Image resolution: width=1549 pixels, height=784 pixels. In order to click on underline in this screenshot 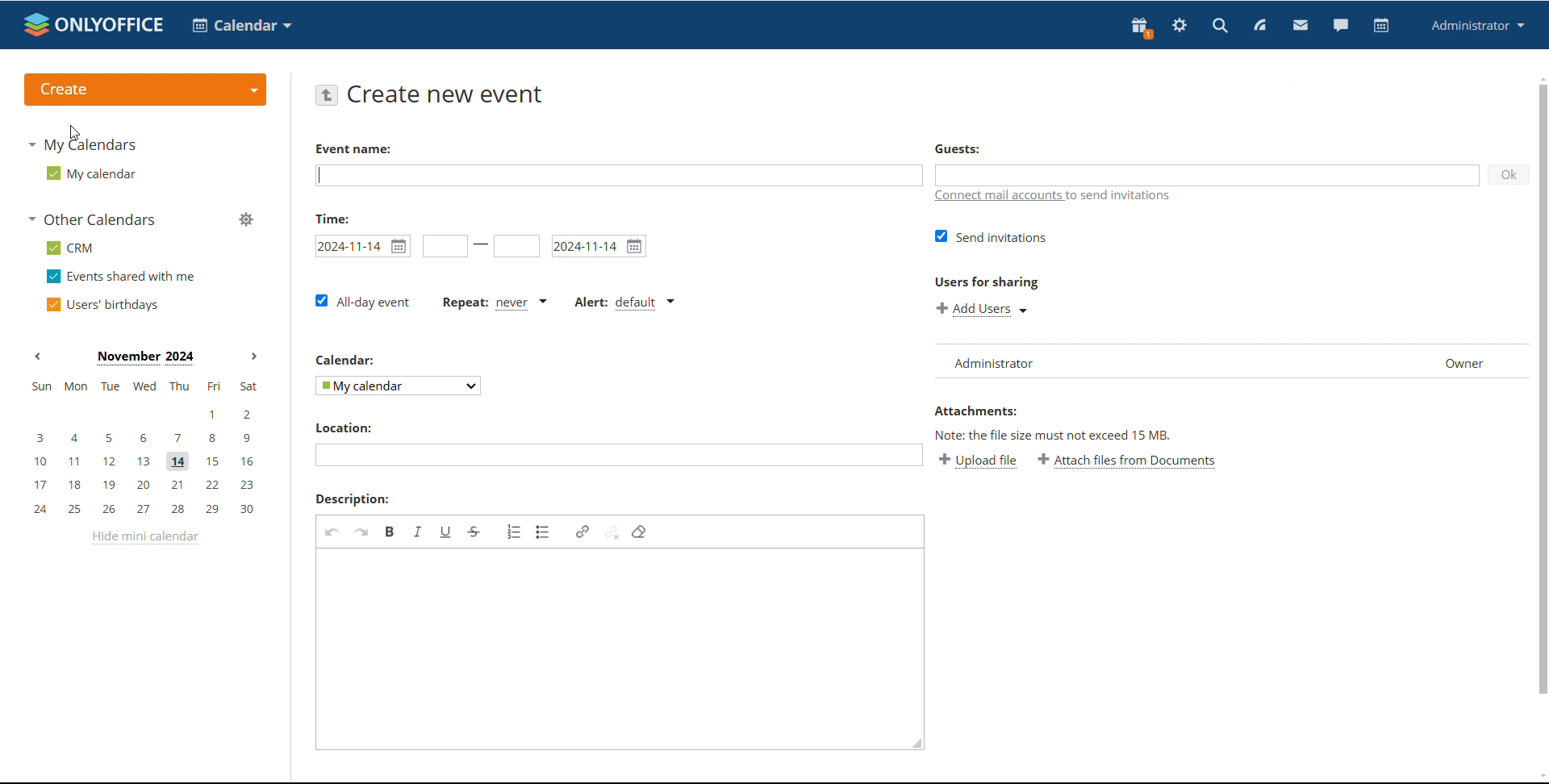, I will do `click(446, 532)`.